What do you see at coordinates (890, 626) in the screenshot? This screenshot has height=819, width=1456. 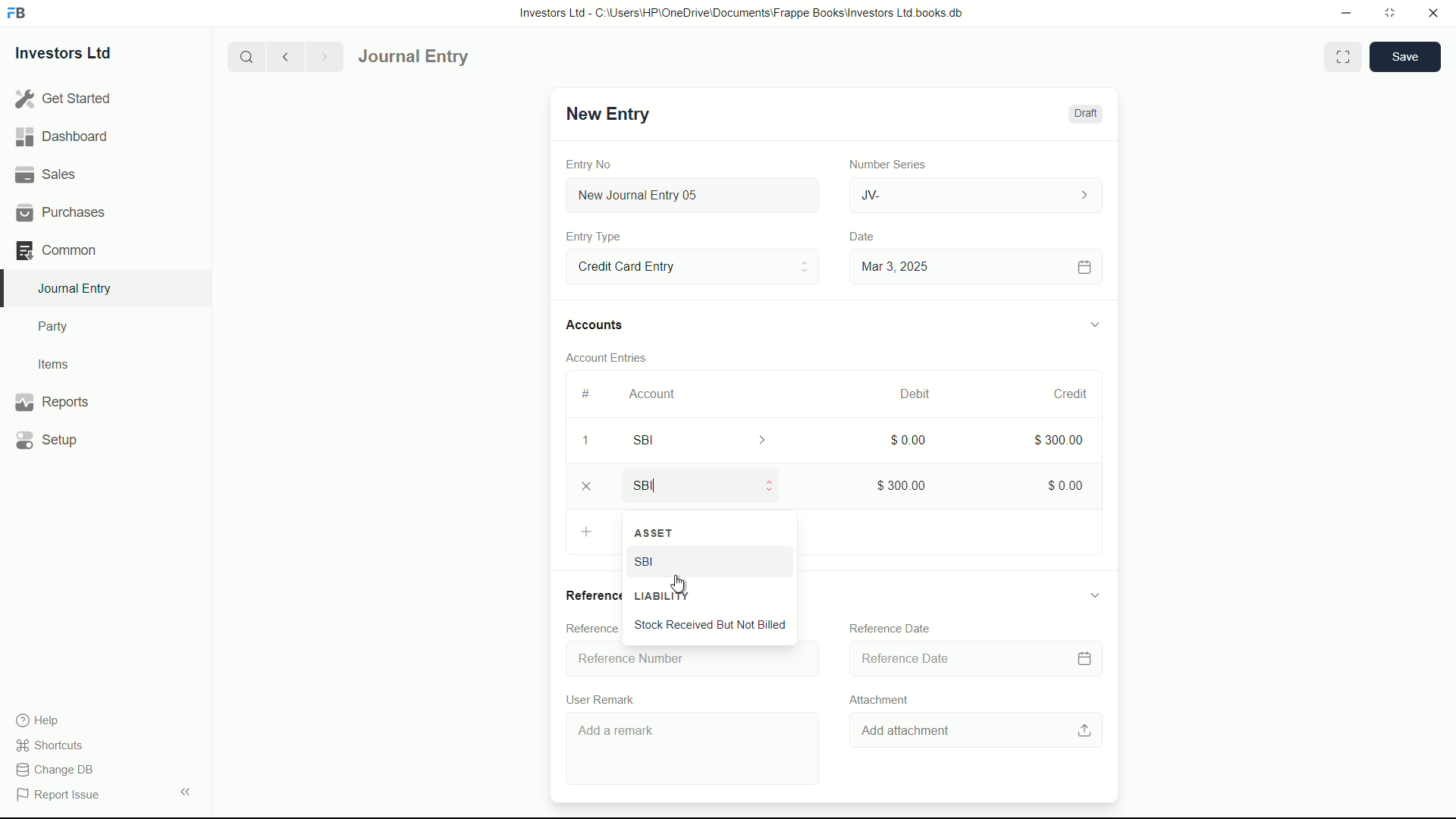 I see `Reference Date` at bounding box center [890, 626].